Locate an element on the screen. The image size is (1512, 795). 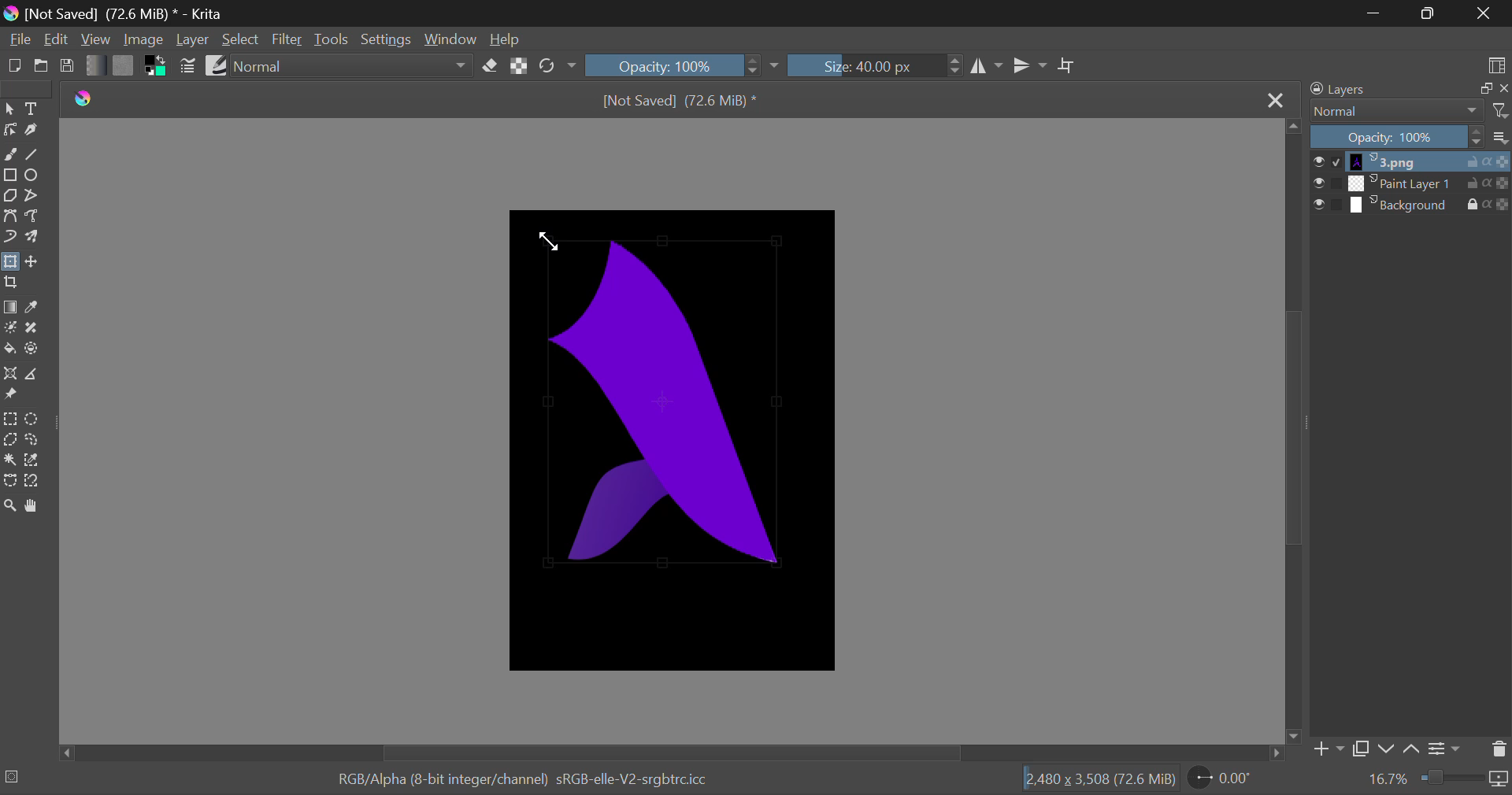
up Movement of Layer is located at coordinates (1411, 749).